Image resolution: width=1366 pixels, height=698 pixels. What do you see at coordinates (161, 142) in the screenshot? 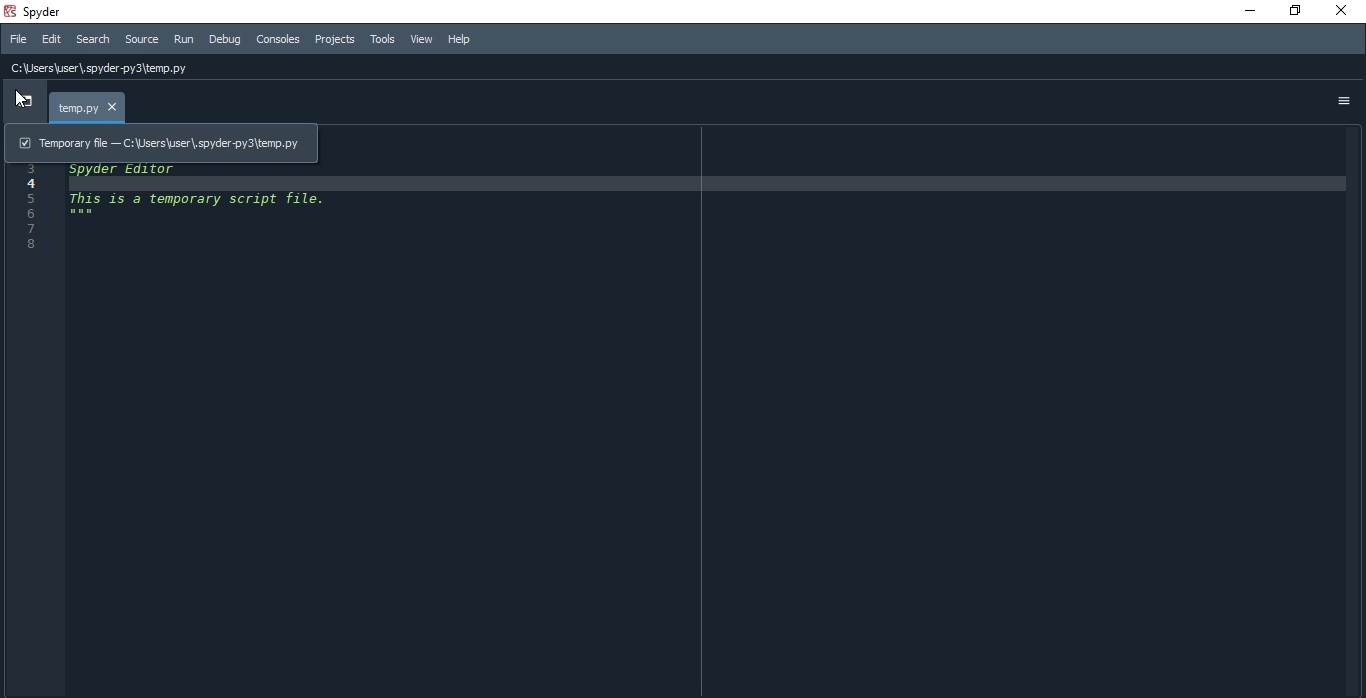
I see `@ Temporary fle — C:\sers\user\, spyder py3\temp.py` at bounding box center [161, 142].